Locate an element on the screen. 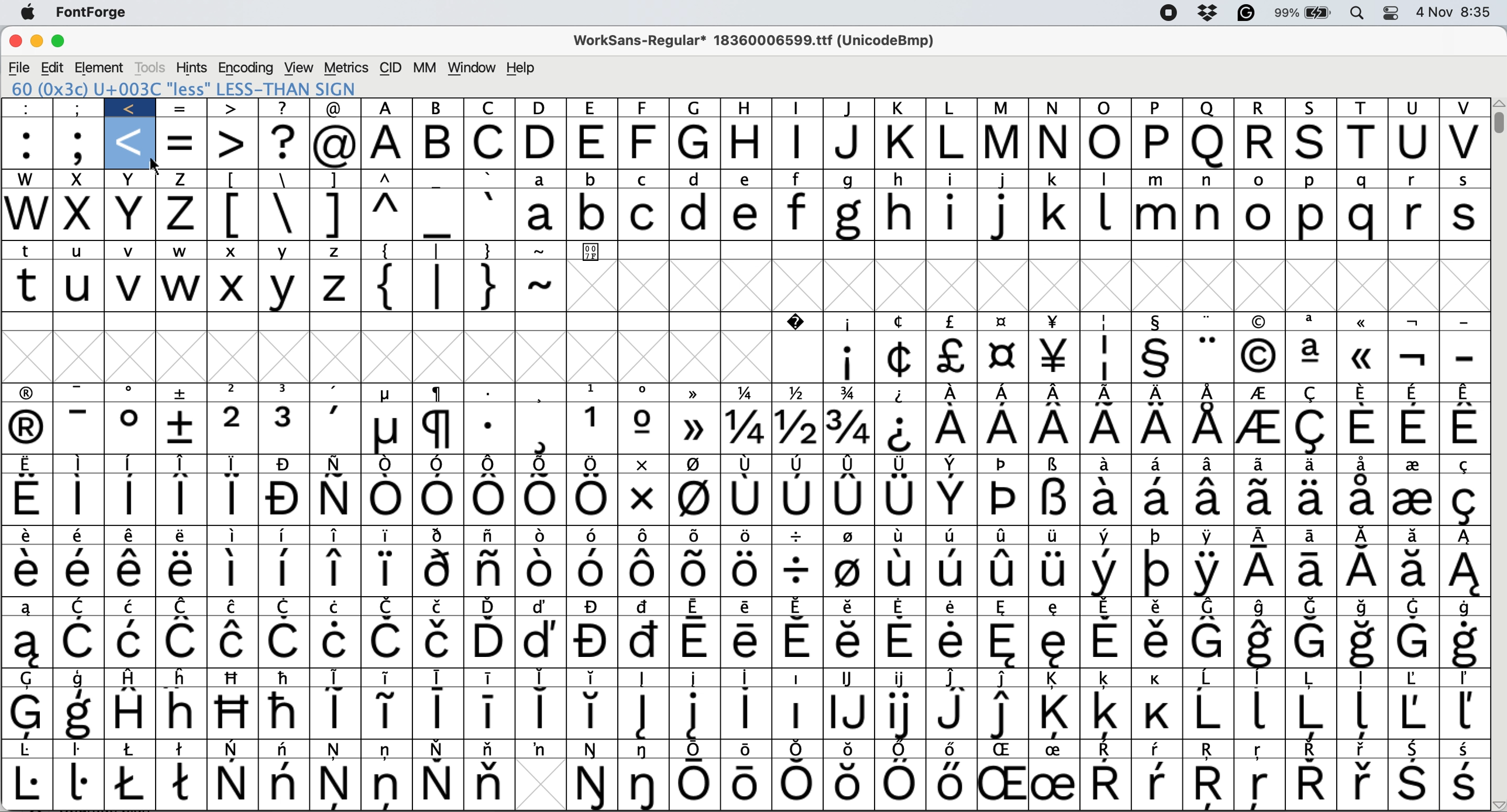 This screenshot has width=1507, height=812. Symbol is located at coordinates (648, 608).